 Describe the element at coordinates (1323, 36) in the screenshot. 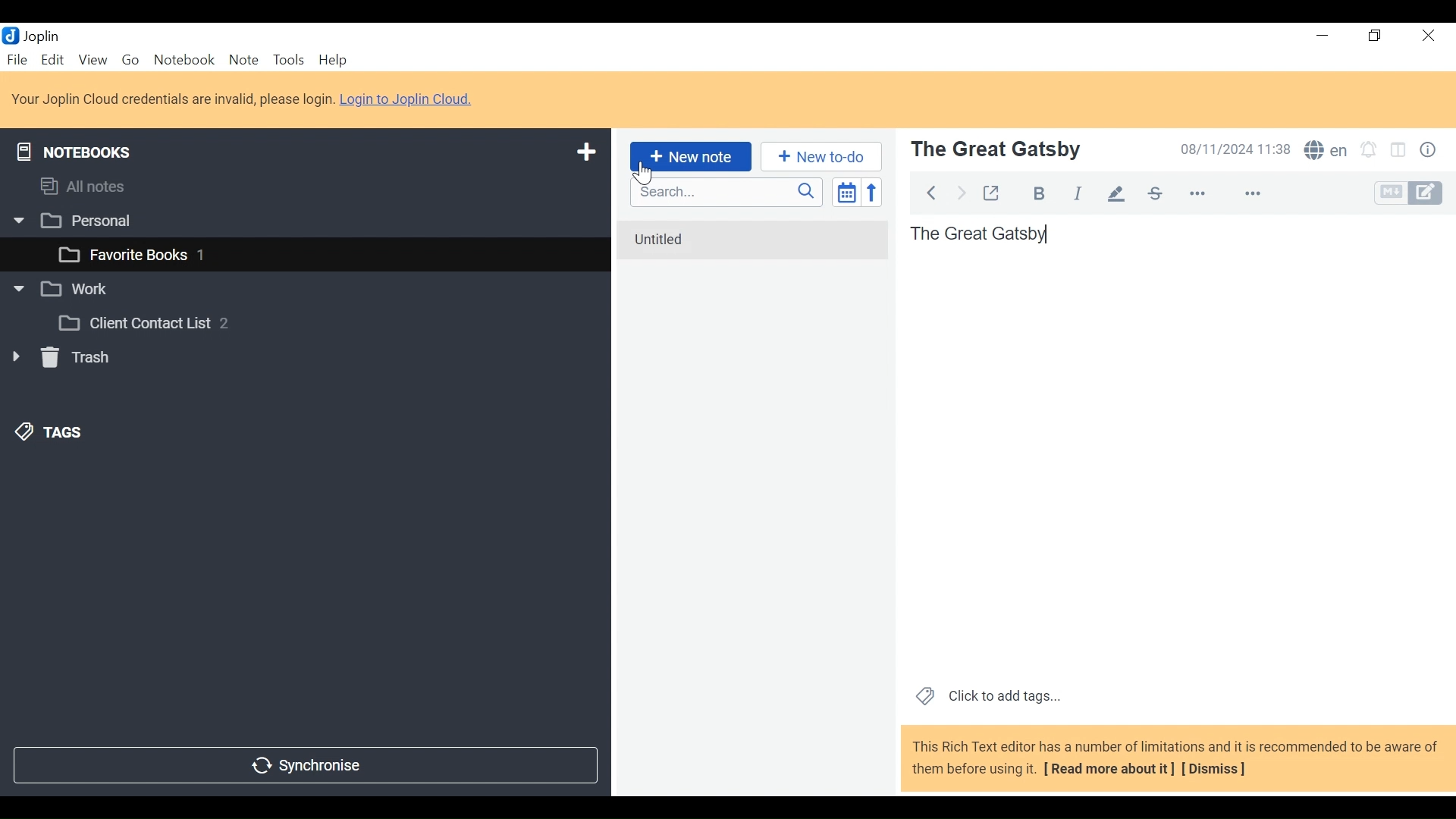

I see `minimize` at that location.